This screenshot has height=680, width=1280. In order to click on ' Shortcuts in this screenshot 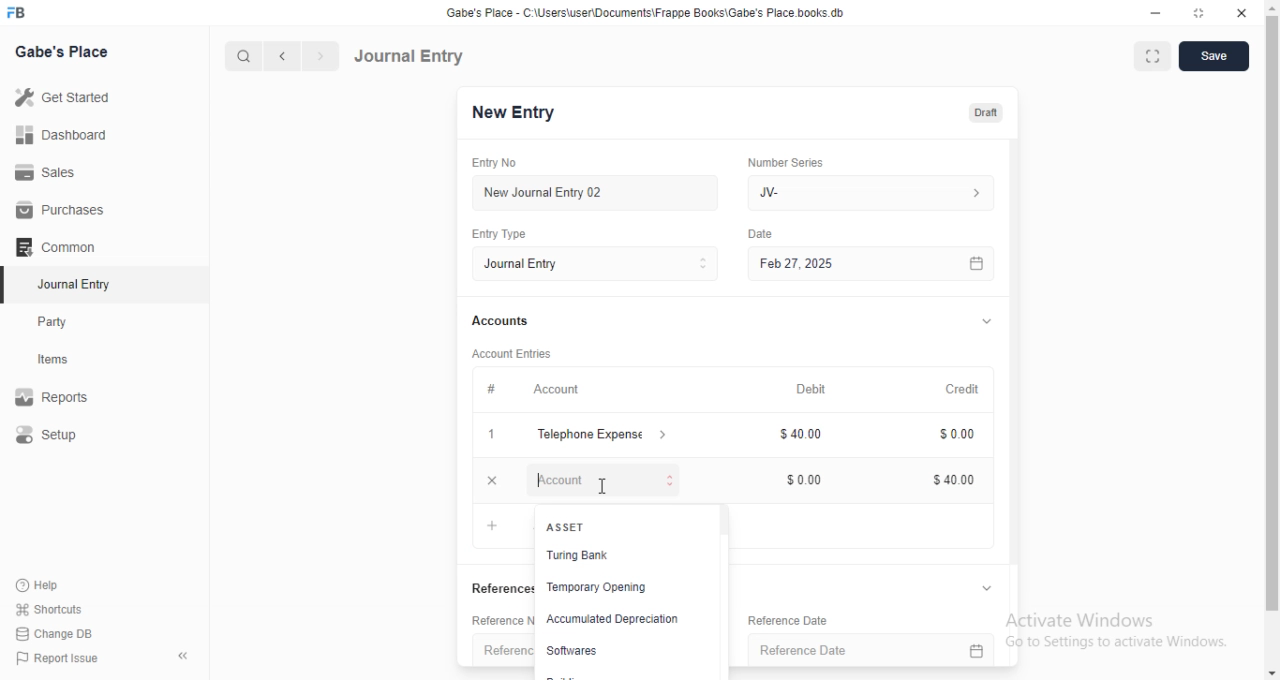, I will do `click(50, 608)`.